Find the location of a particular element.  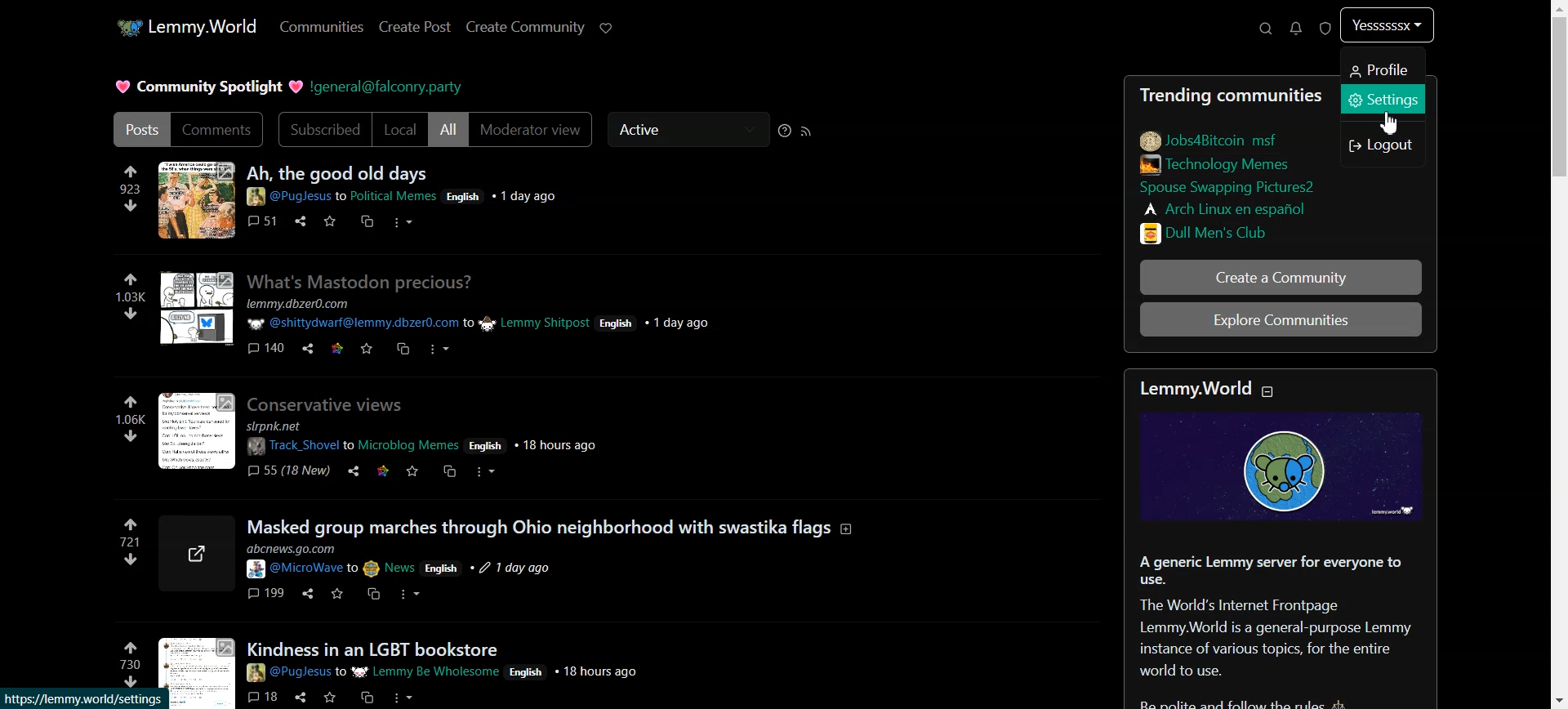

link is located at coordinates (1231, 185).